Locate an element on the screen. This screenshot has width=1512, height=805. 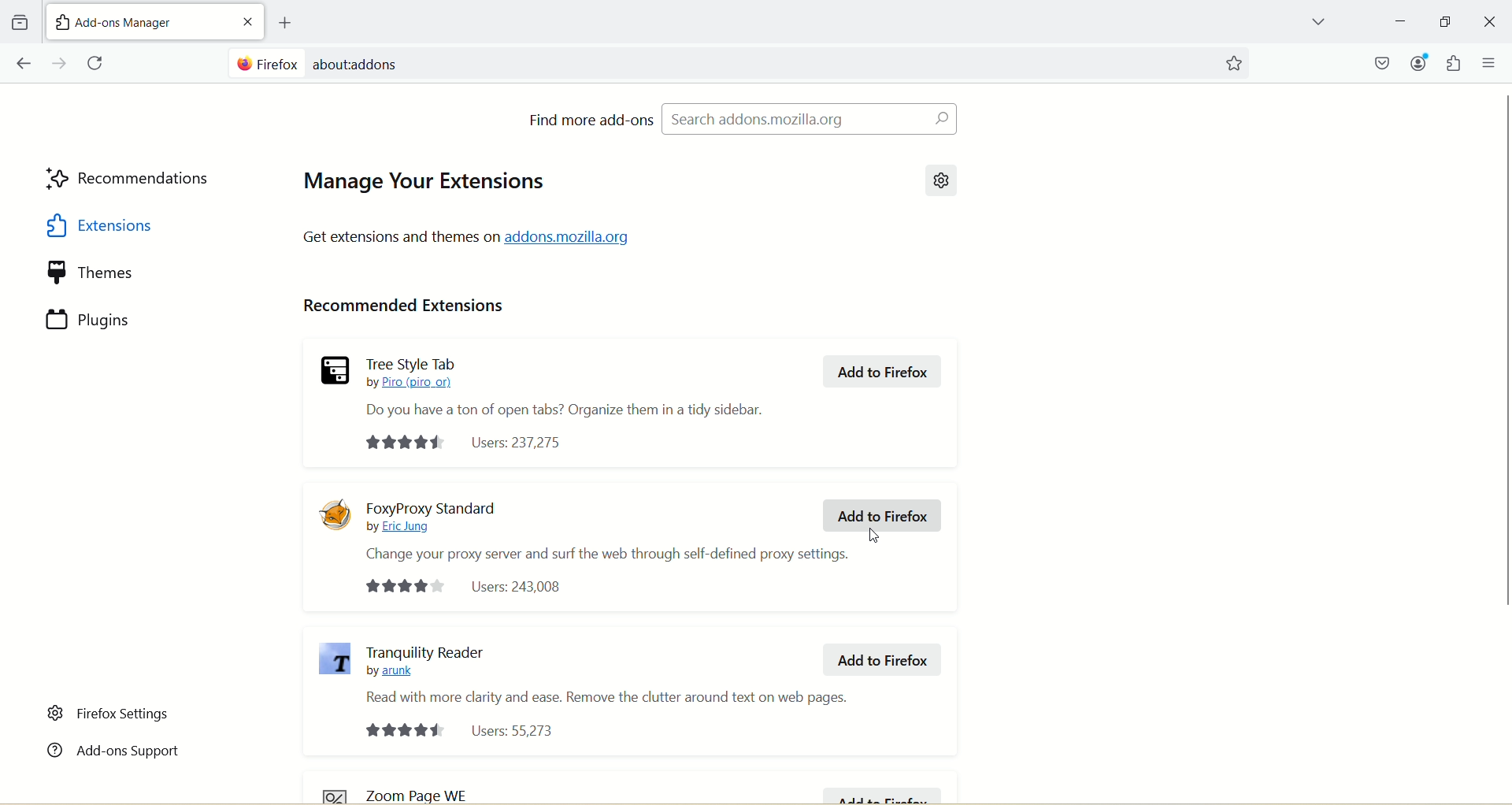
Manage Your Extensions is located at coordinates (422, 184).